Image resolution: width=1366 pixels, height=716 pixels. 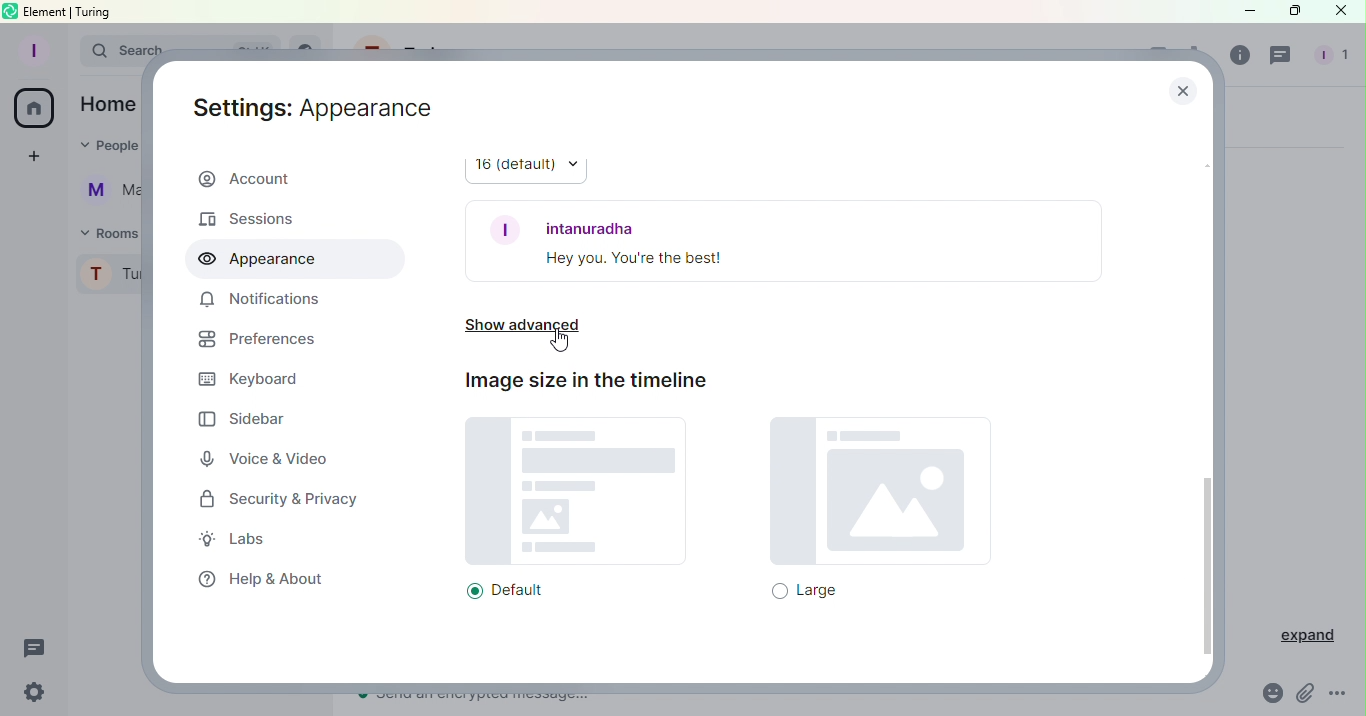 What do you see at coordinates (113, 233) in the screenshot?
I see `Rooms` at bounding box center [113, 233].